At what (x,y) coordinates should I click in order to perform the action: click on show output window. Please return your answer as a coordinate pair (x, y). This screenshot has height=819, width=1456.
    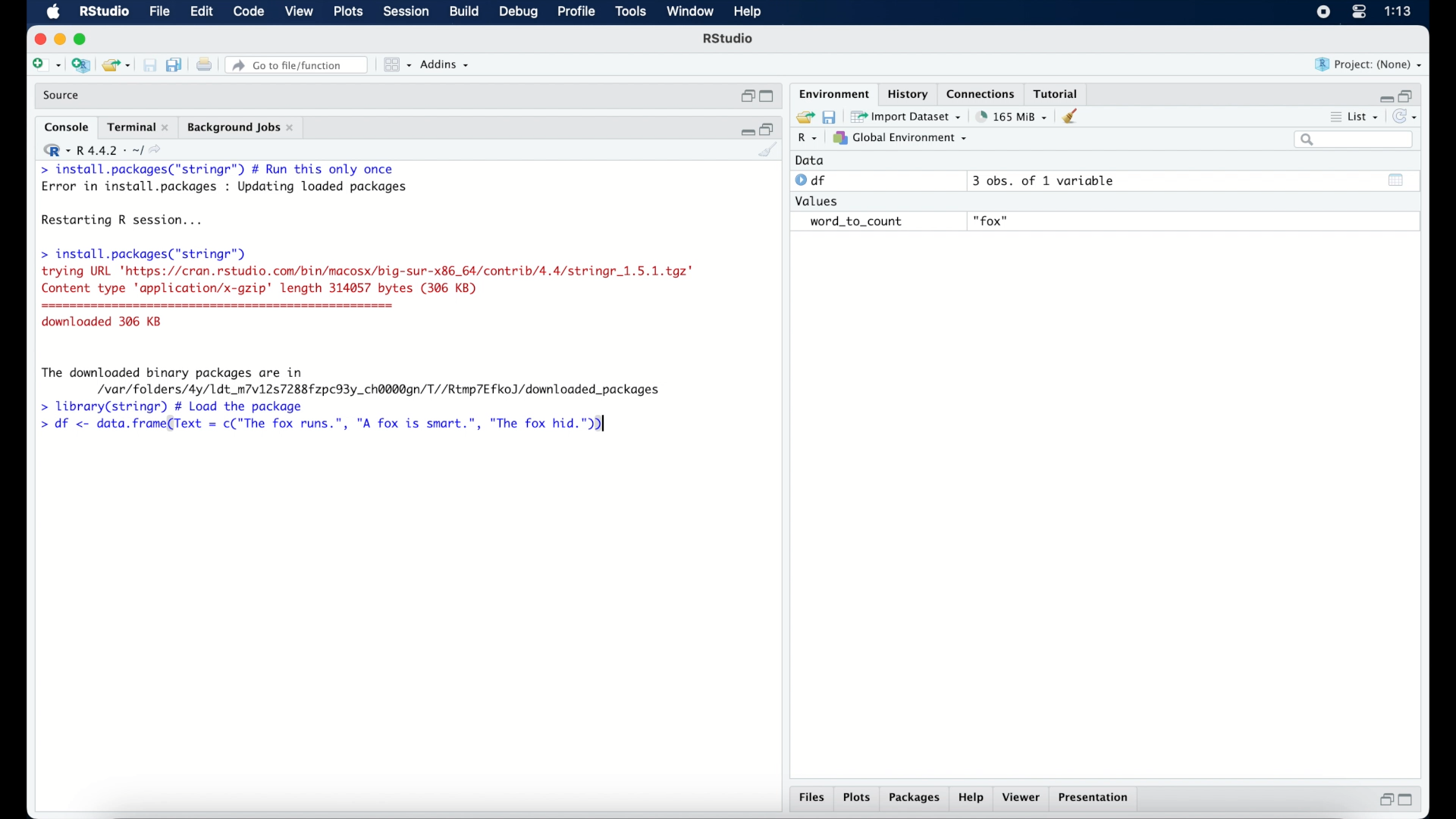
    Looking at the image, I should click on (1397, 180).